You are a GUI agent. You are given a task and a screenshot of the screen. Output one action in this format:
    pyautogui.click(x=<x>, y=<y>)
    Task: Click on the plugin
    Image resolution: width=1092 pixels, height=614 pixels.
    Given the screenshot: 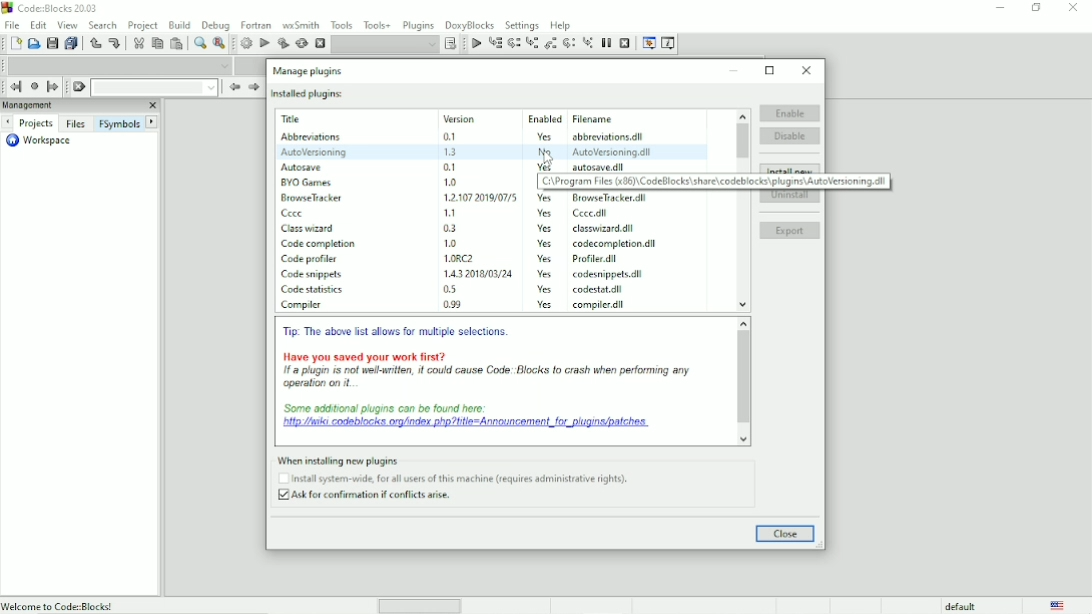 What is the action you would take?
    pyautogui.click(x=321, y=244)
    